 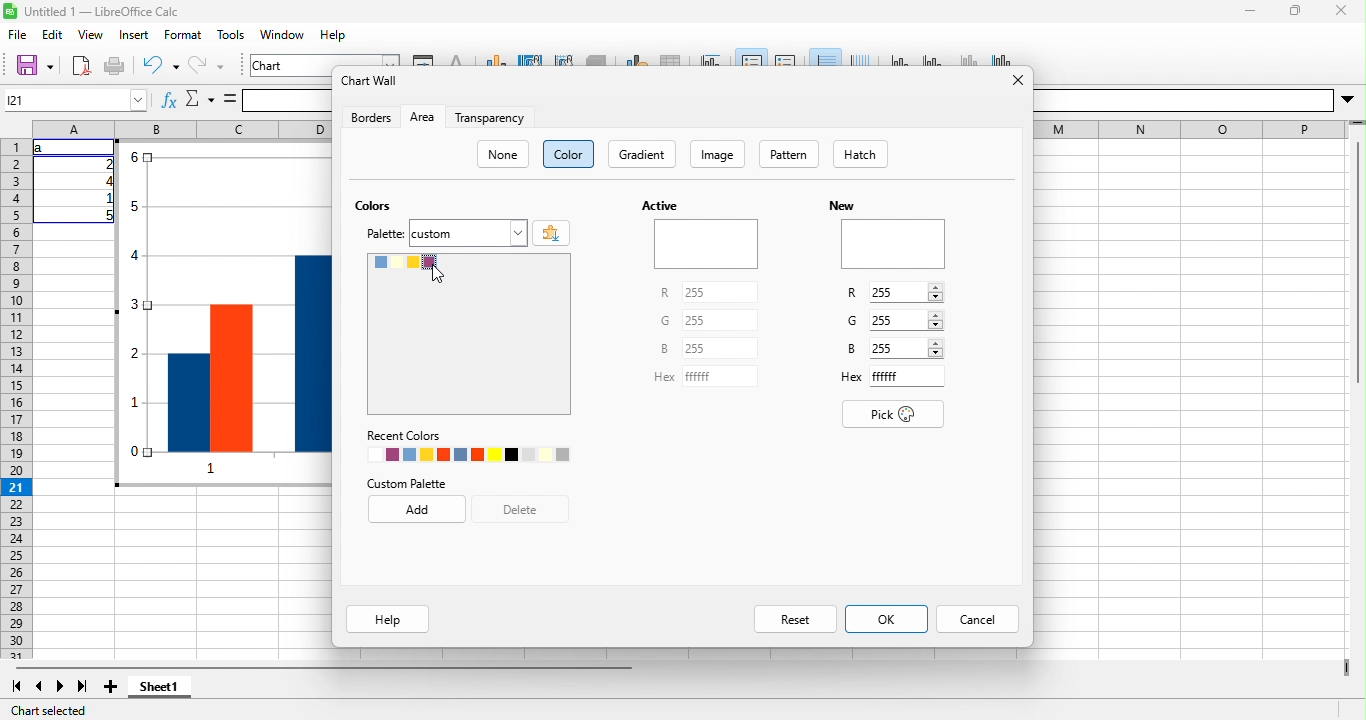 I want to click on colors, so click(x=373, y=205).